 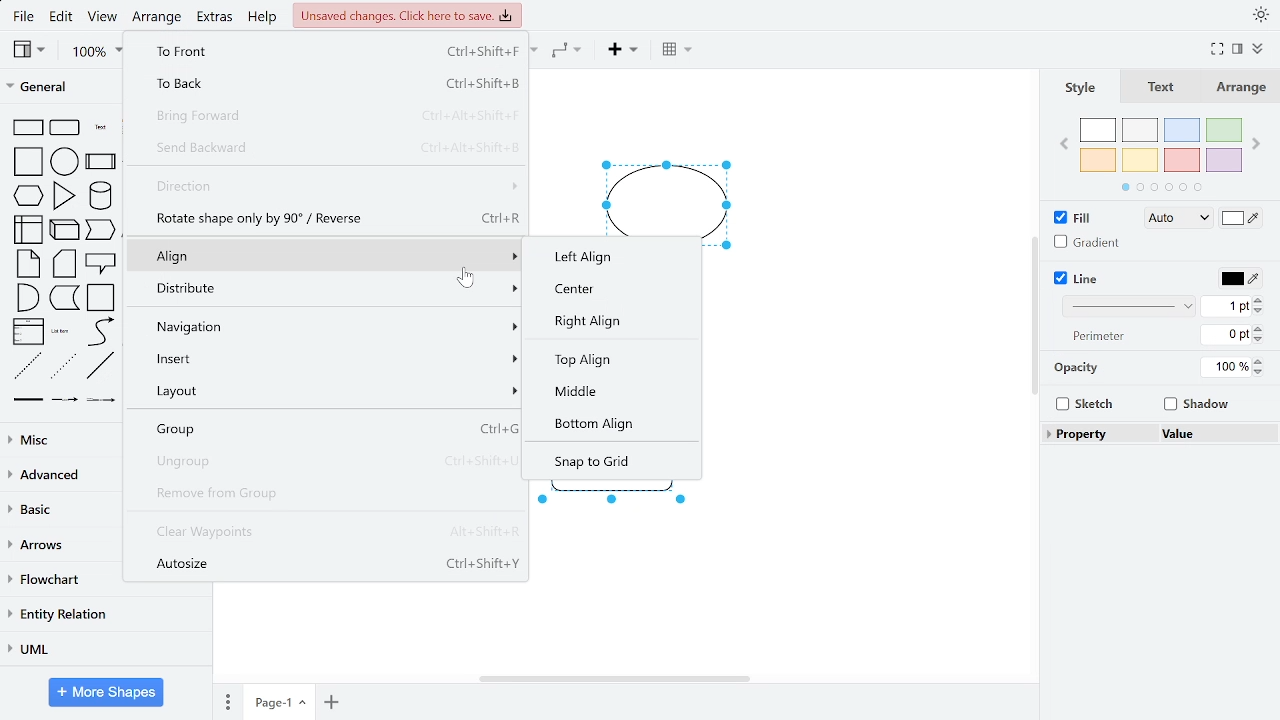 What do you see at coordinates (1258, 15) in the screenshot?
I see `appearance` at bounding box center [1258, 15].